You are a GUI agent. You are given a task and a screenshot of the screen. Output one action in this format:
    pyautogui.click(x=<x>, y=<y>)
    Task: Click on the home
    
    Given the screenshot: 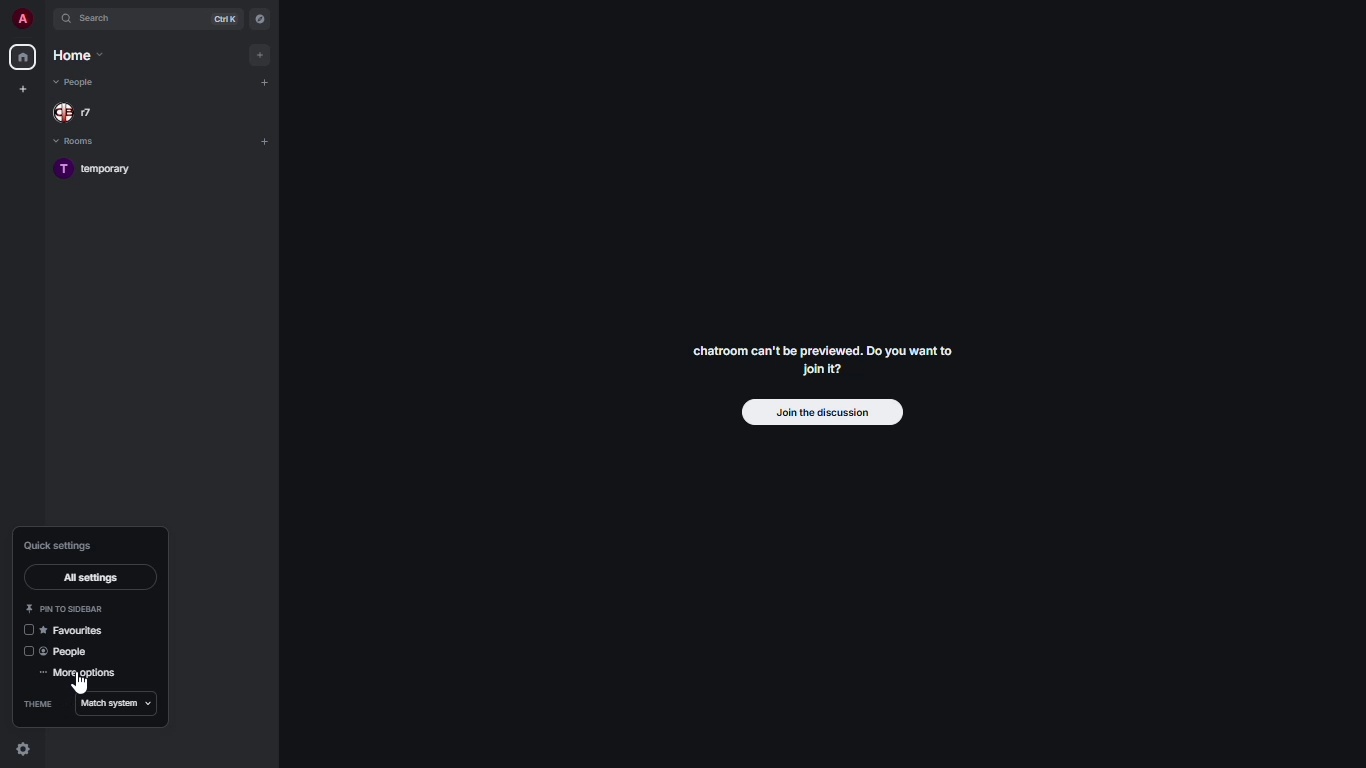 What is the action you would take?
    pyautogui.click(x=22, y=57)
    